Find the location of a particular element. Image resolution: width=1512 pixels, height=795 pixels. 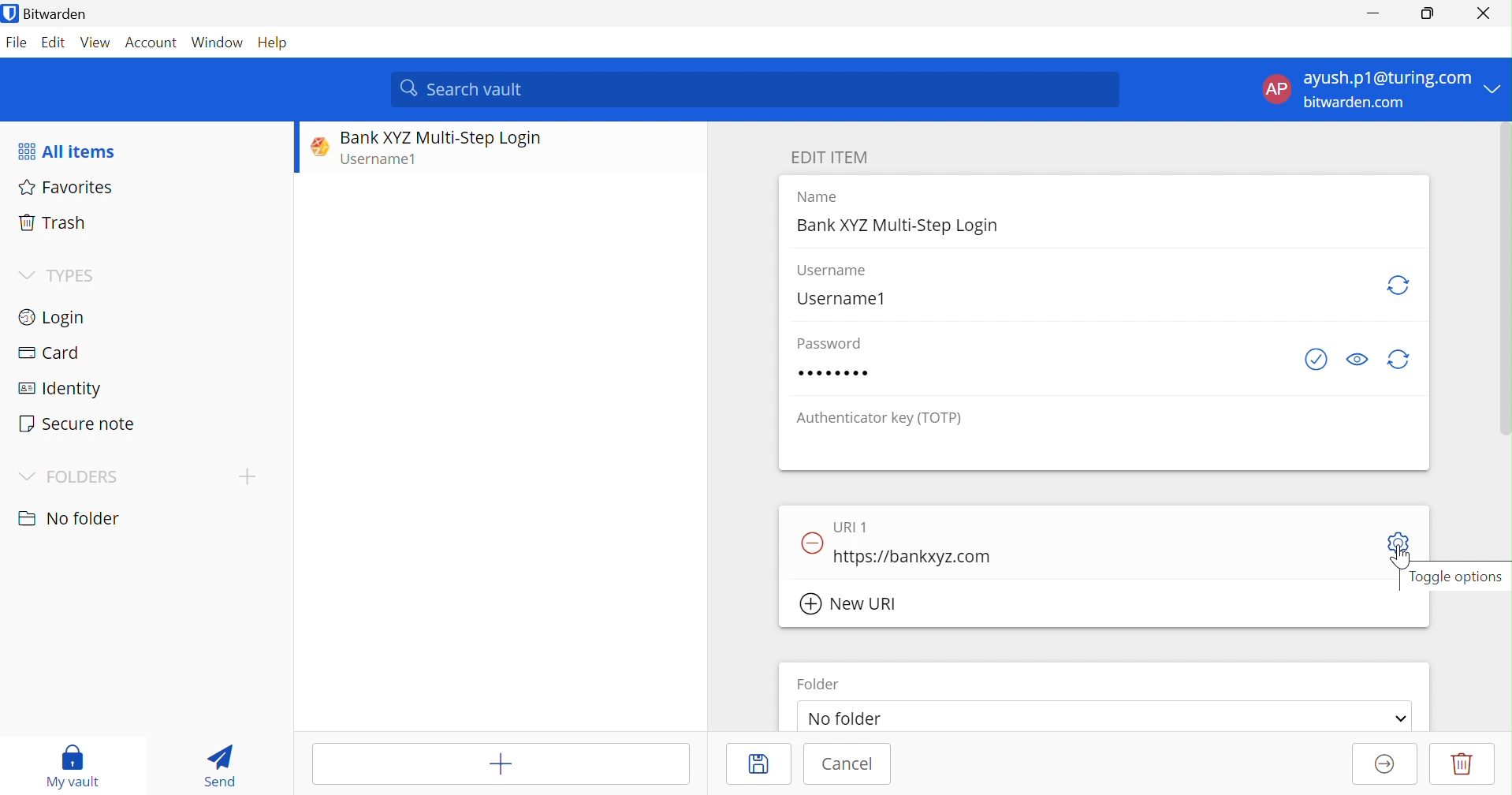

Regenerate password is located at coordinates (1402, 360).